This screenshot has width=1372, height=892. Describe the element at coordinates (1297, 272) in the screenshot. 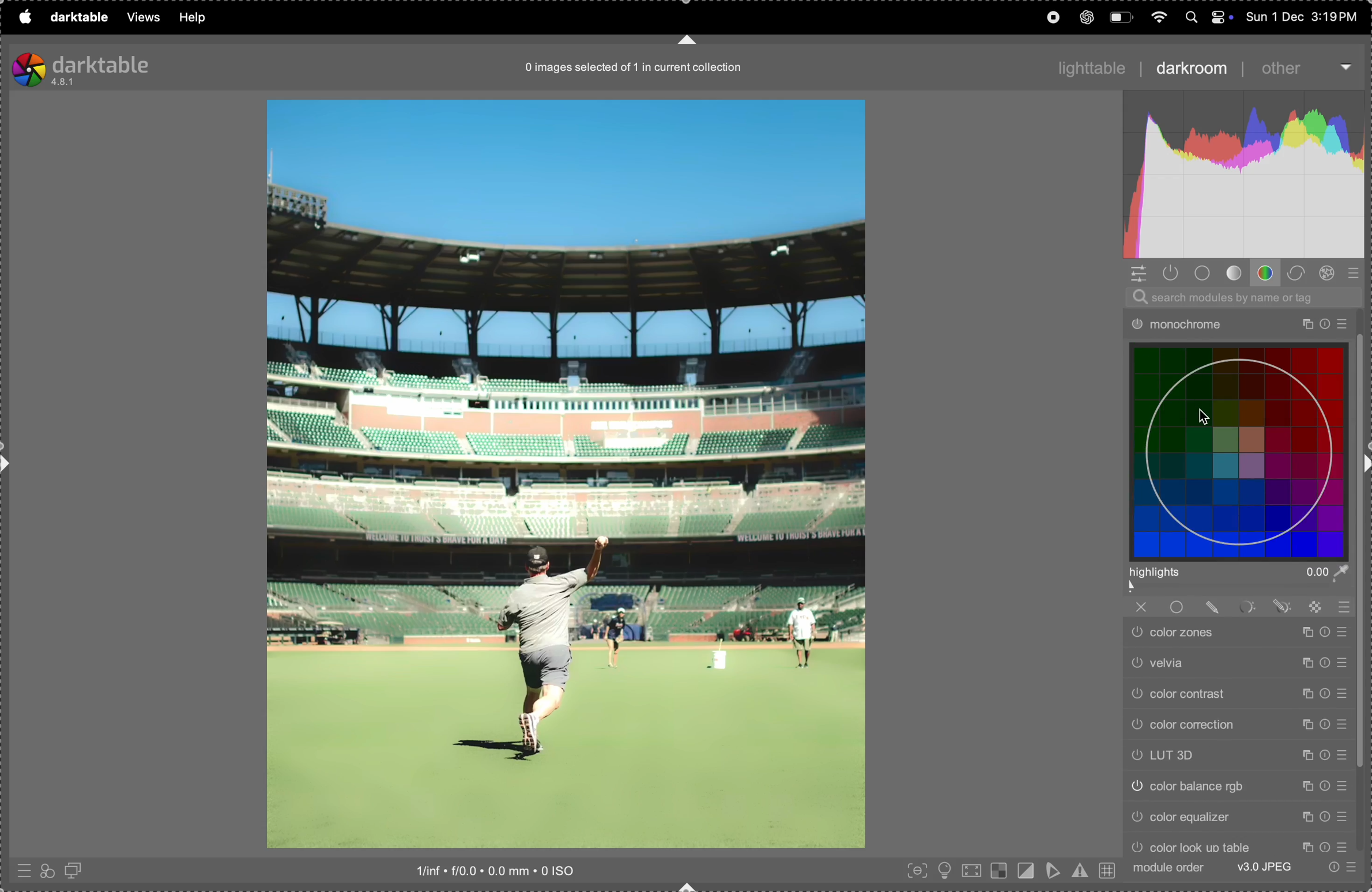

I see `correct` at that location.